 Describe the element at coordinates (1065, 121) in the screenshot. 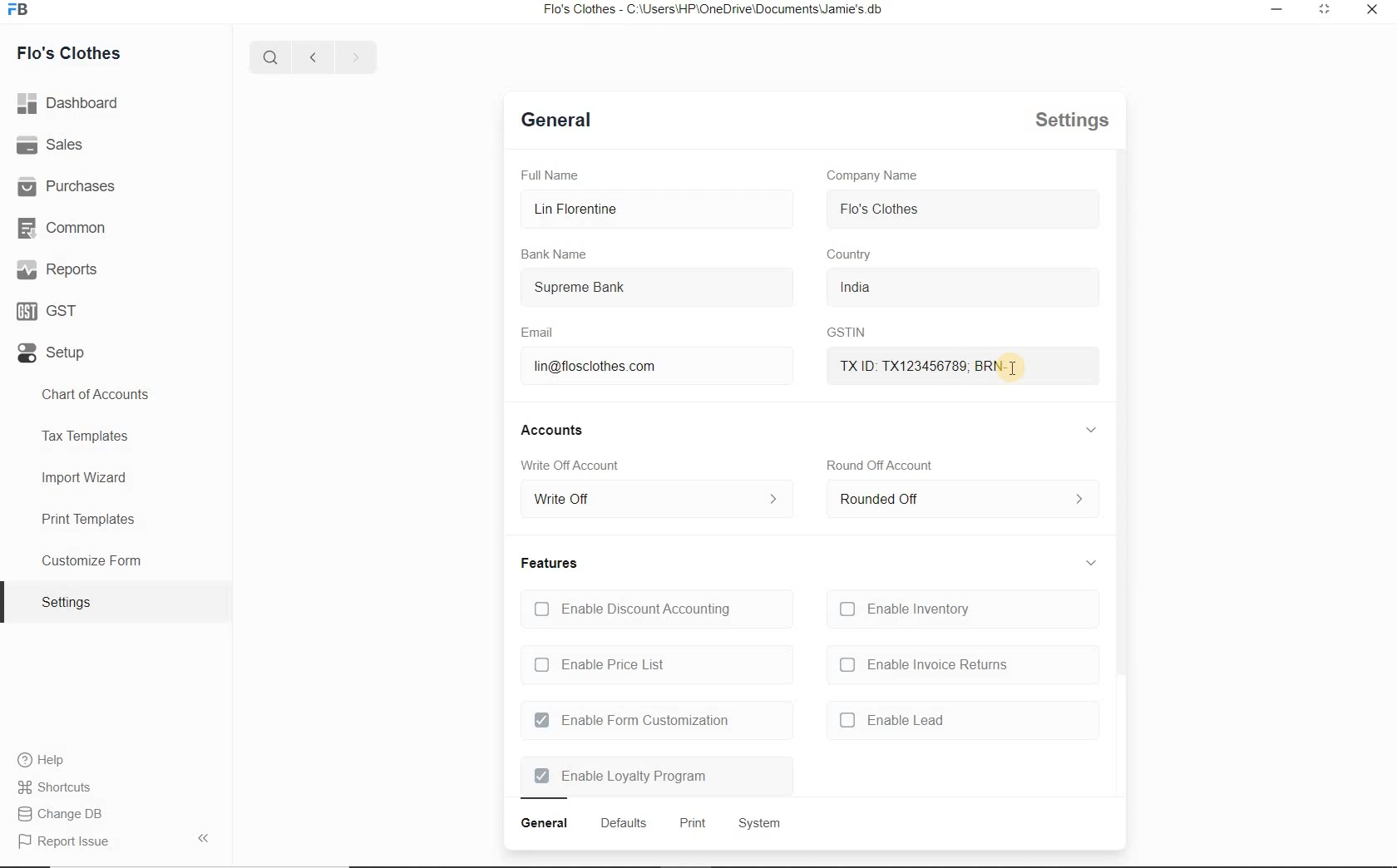

I see `settings` at that location.